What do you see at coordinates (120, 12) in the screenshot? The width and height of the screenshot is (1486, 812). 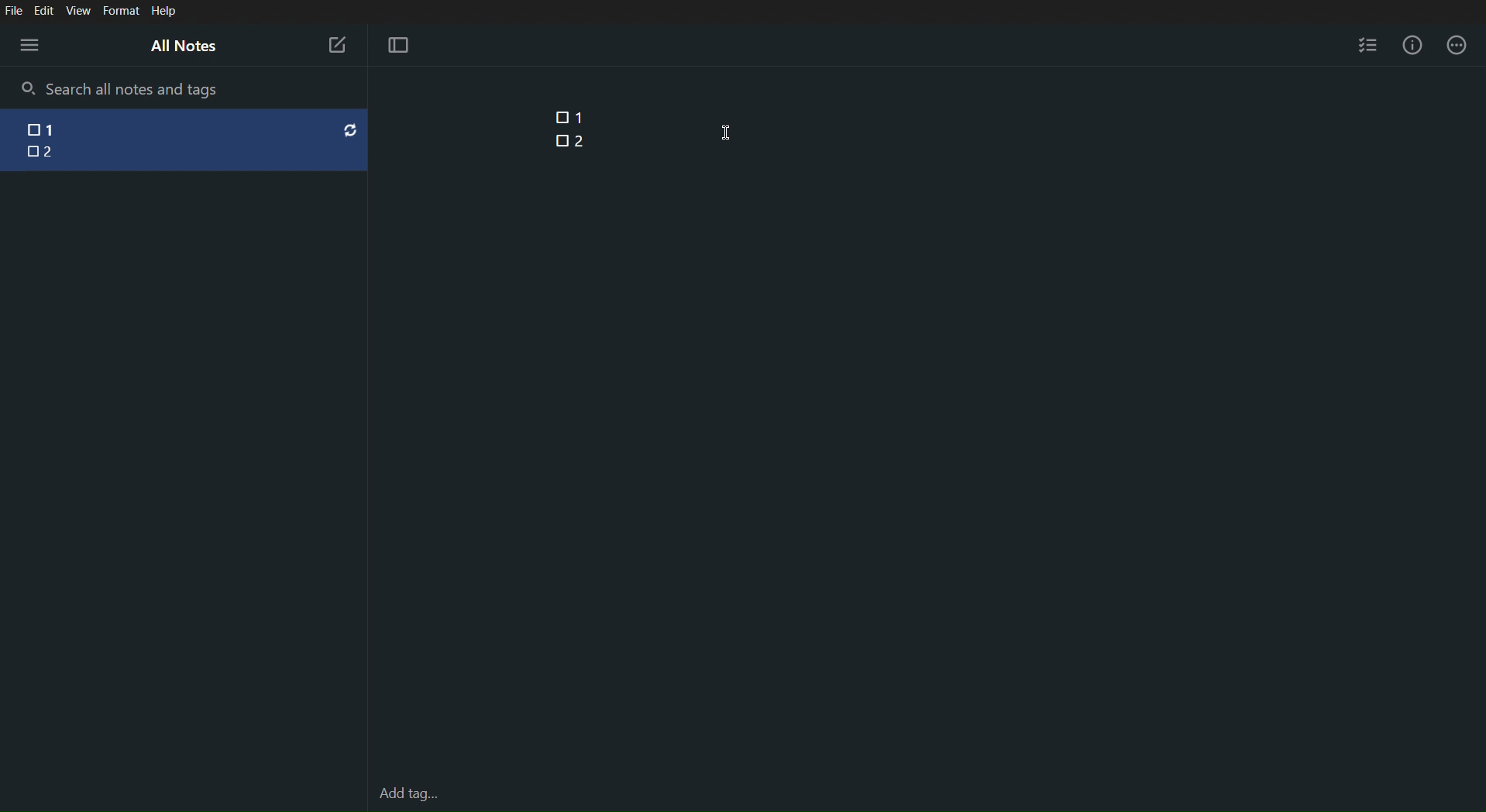 I see `Format` at bounding box center [120, 12].